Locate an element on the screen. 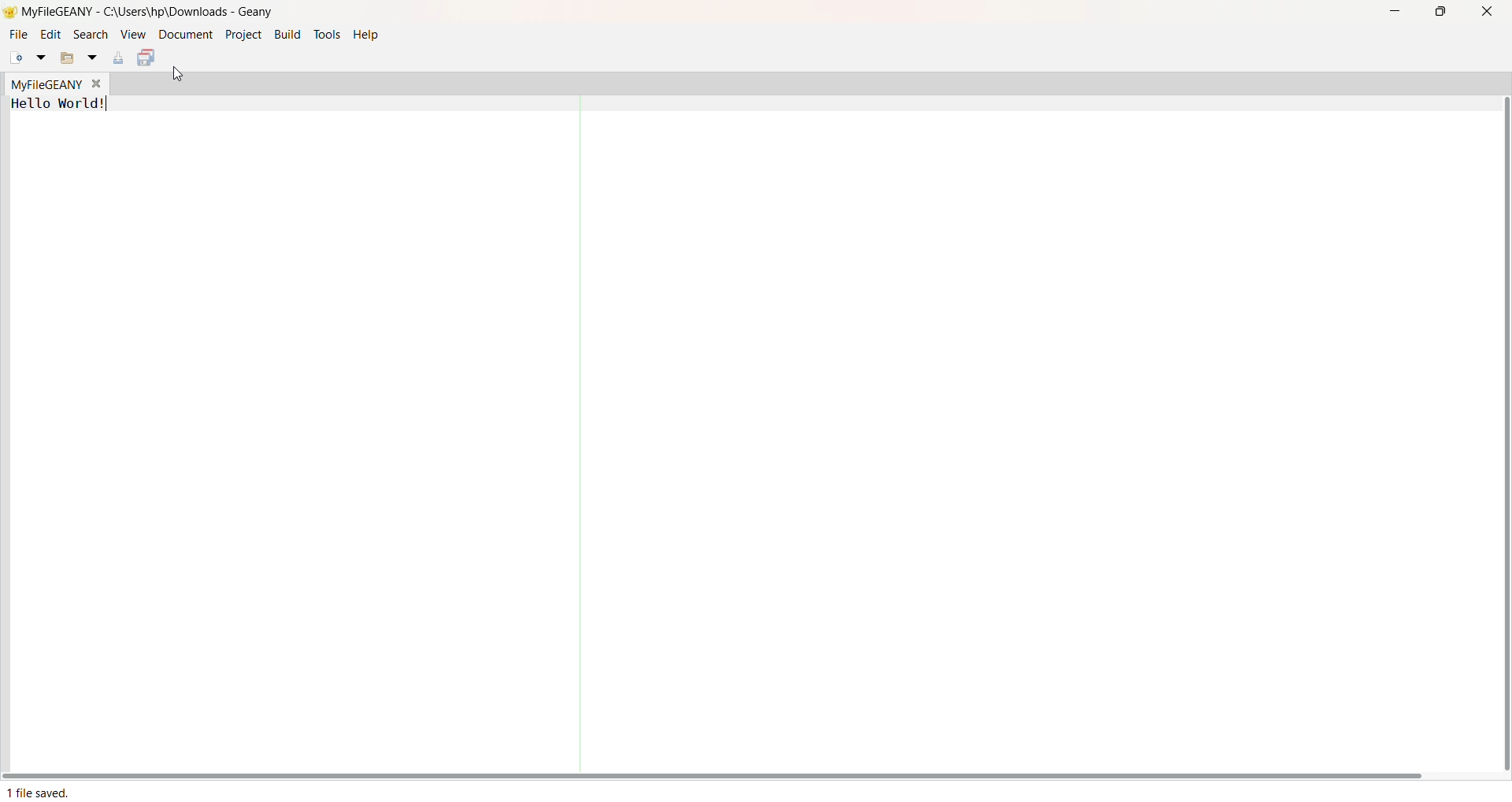 The height and width of the screenshot is (802, 1512). Build is located at coordinates (287, 36).